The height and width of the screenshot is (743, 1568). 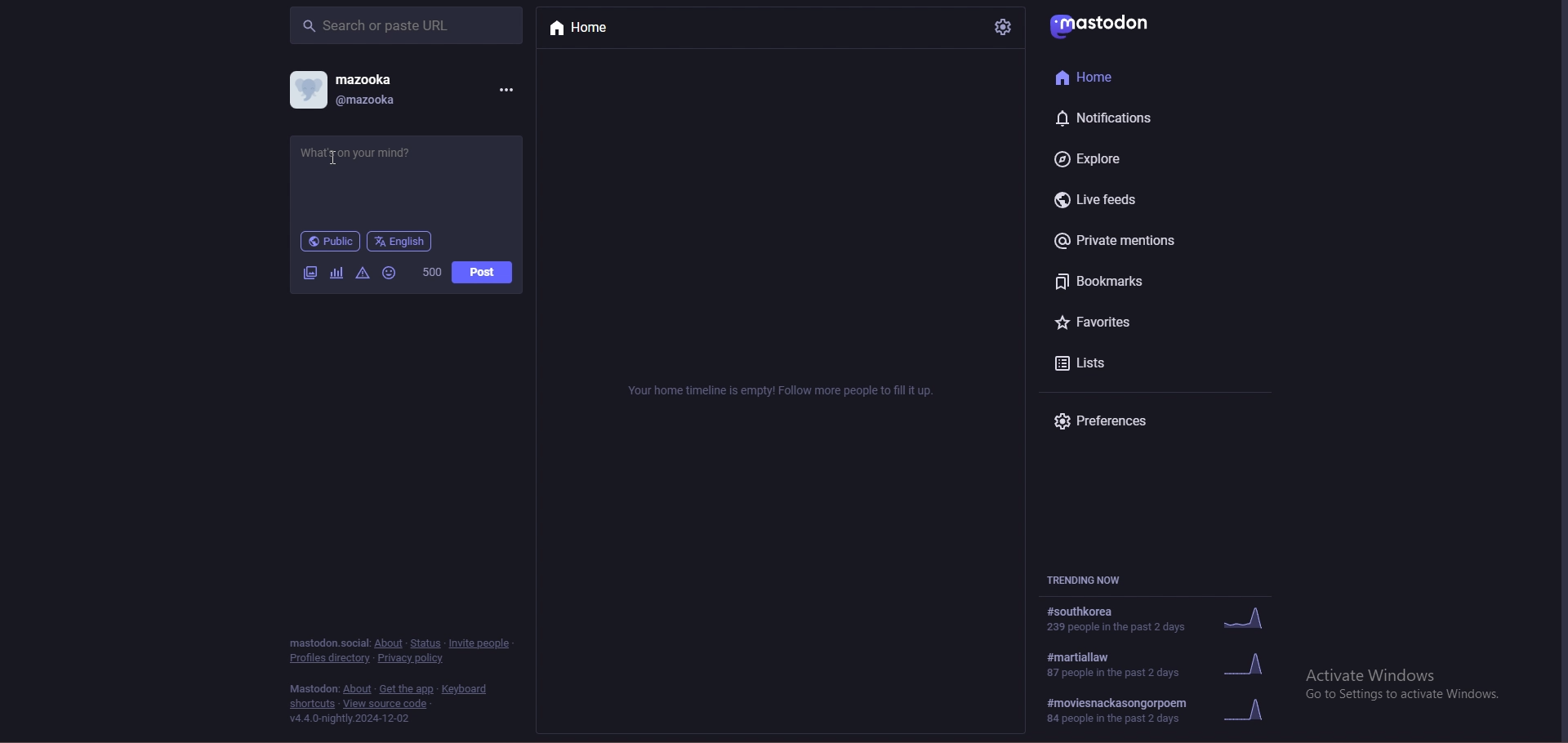 I want to click on privacy policy, so click(x=413, y=658).